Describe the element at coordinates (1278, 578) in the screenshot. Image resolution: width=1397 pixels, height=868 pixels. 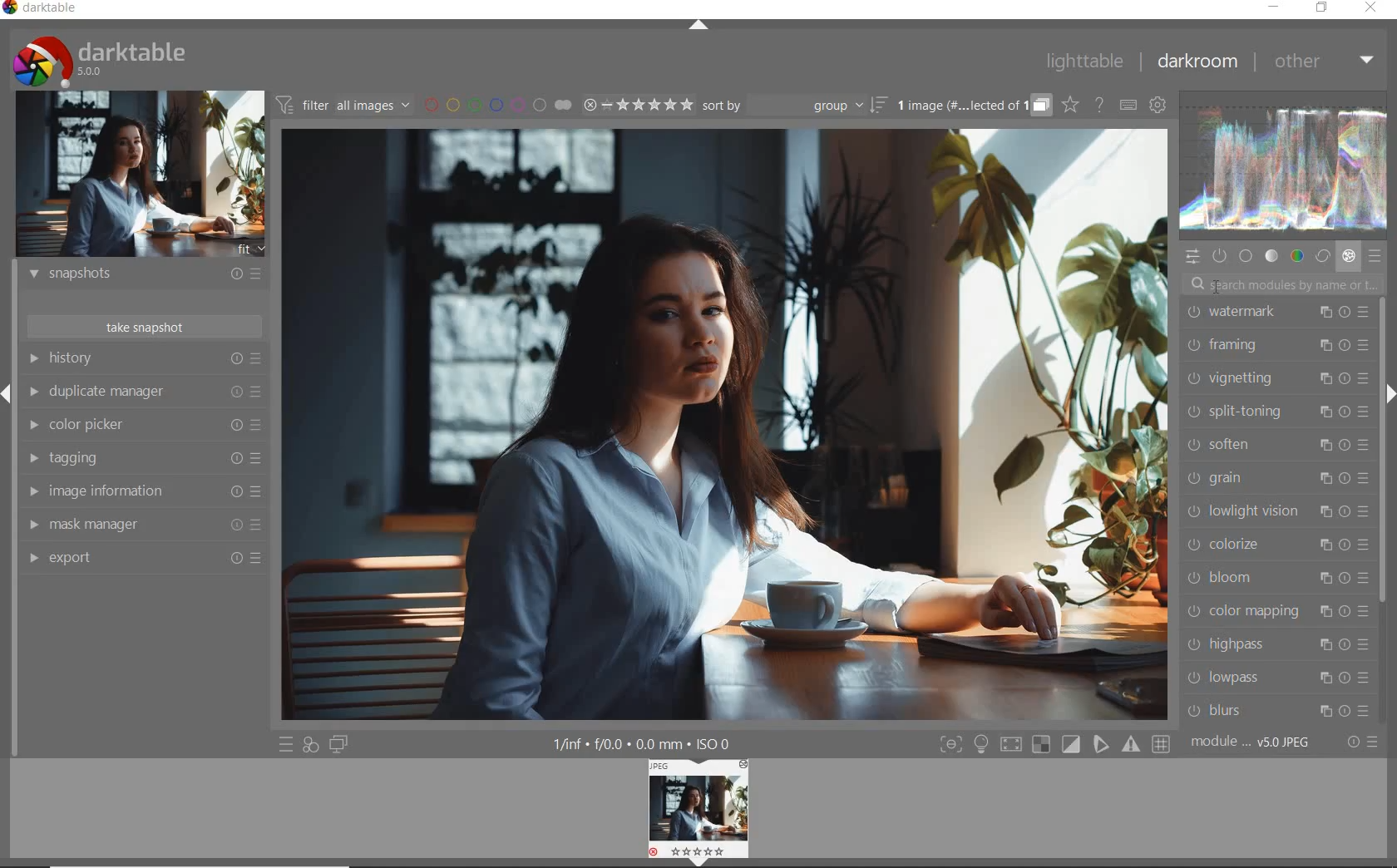
I see `bloom` at that location.